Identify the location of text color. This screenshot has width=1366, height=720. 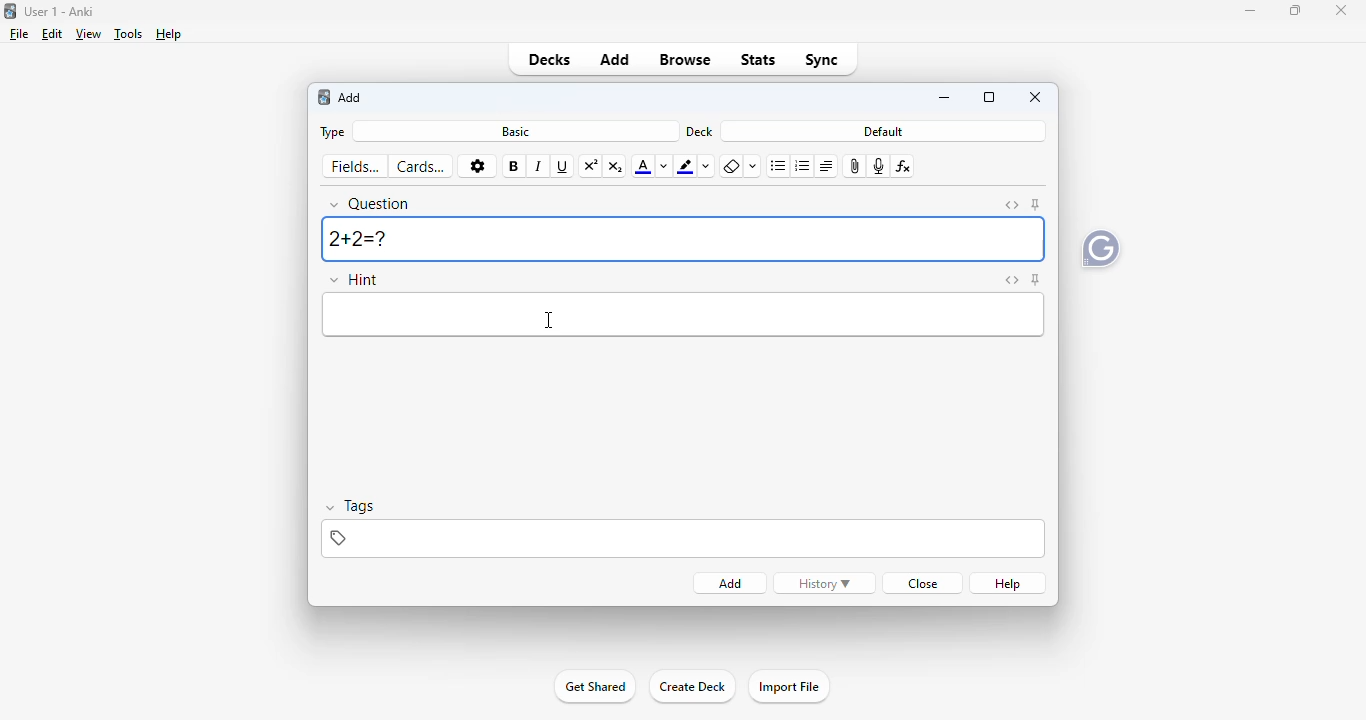
(642, 168).